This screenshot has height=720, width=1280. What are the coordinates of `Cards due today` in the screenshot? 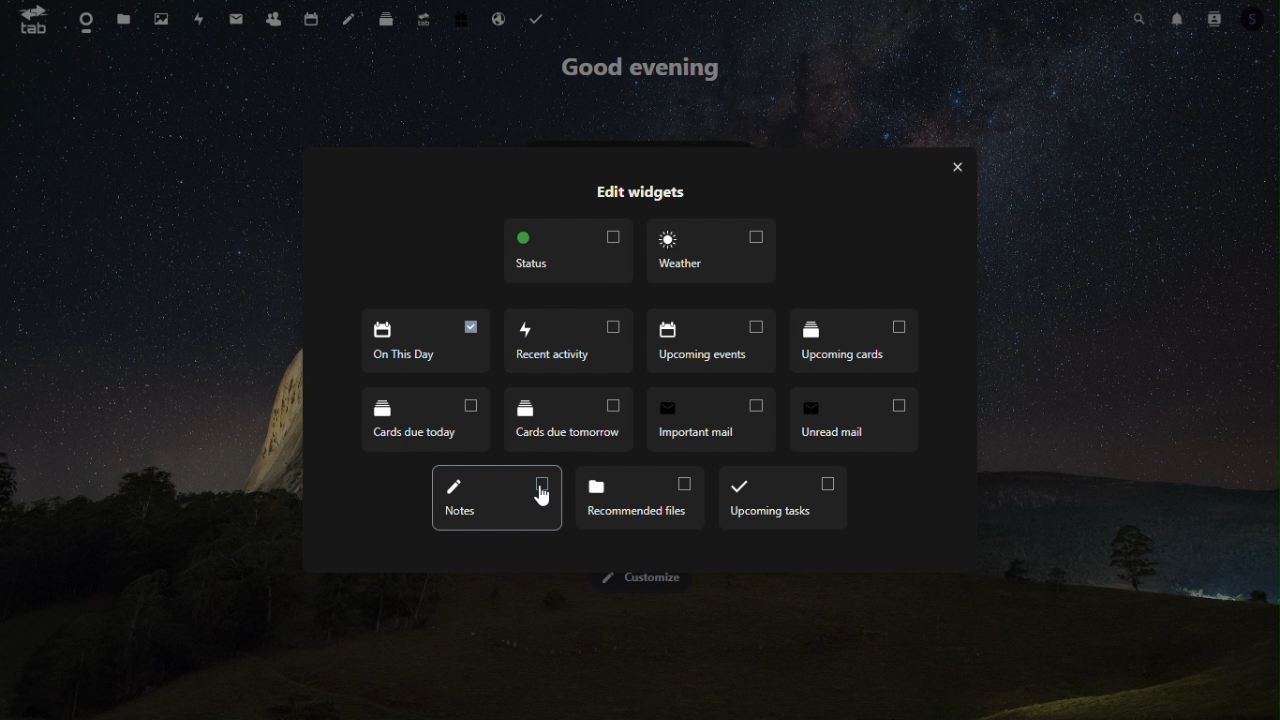 It's located at (851, 339).